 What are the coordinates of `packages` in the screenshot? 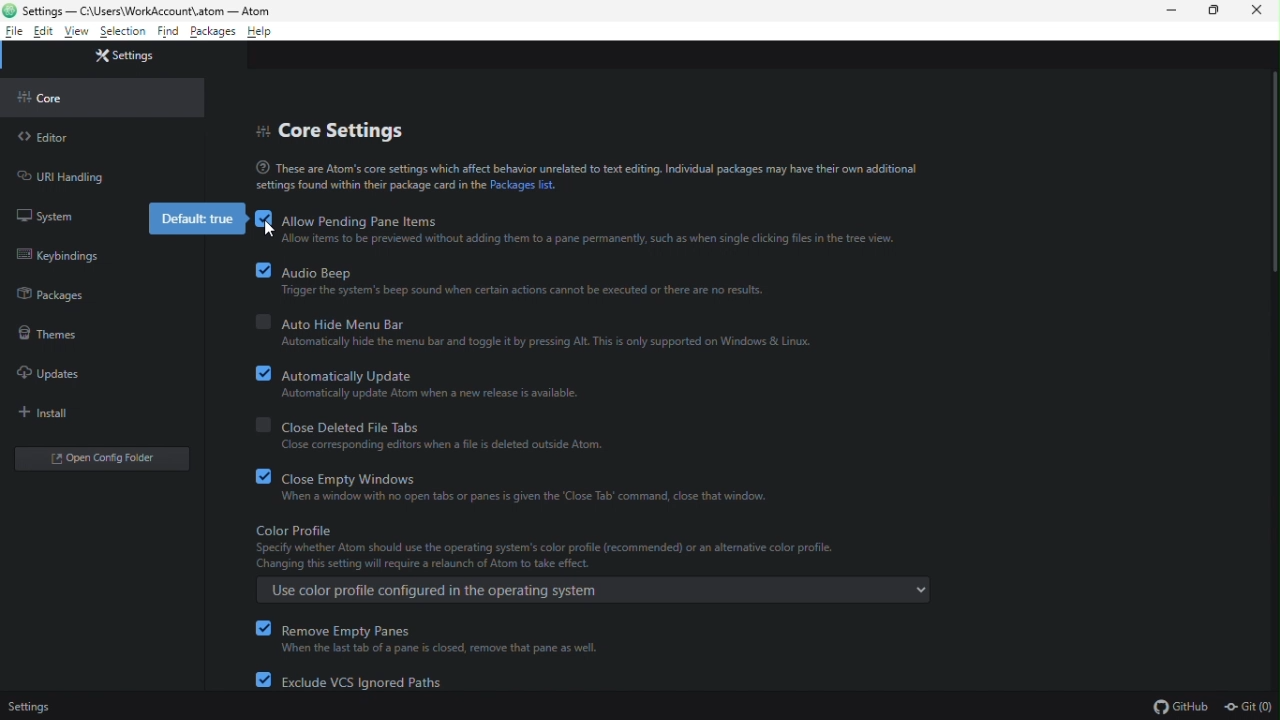 It's located at (52, 294).